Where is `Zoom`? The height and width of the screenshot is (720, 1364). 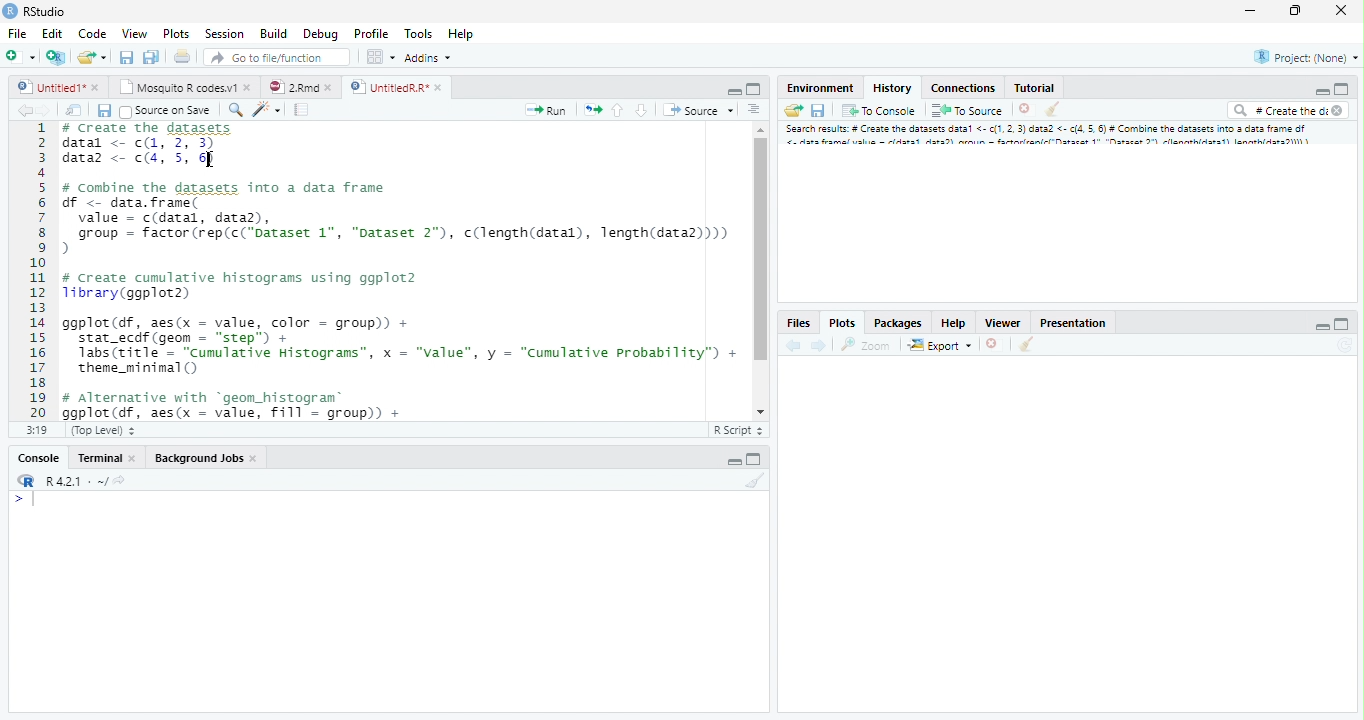 Zoom is located at coordinates (235, 112).